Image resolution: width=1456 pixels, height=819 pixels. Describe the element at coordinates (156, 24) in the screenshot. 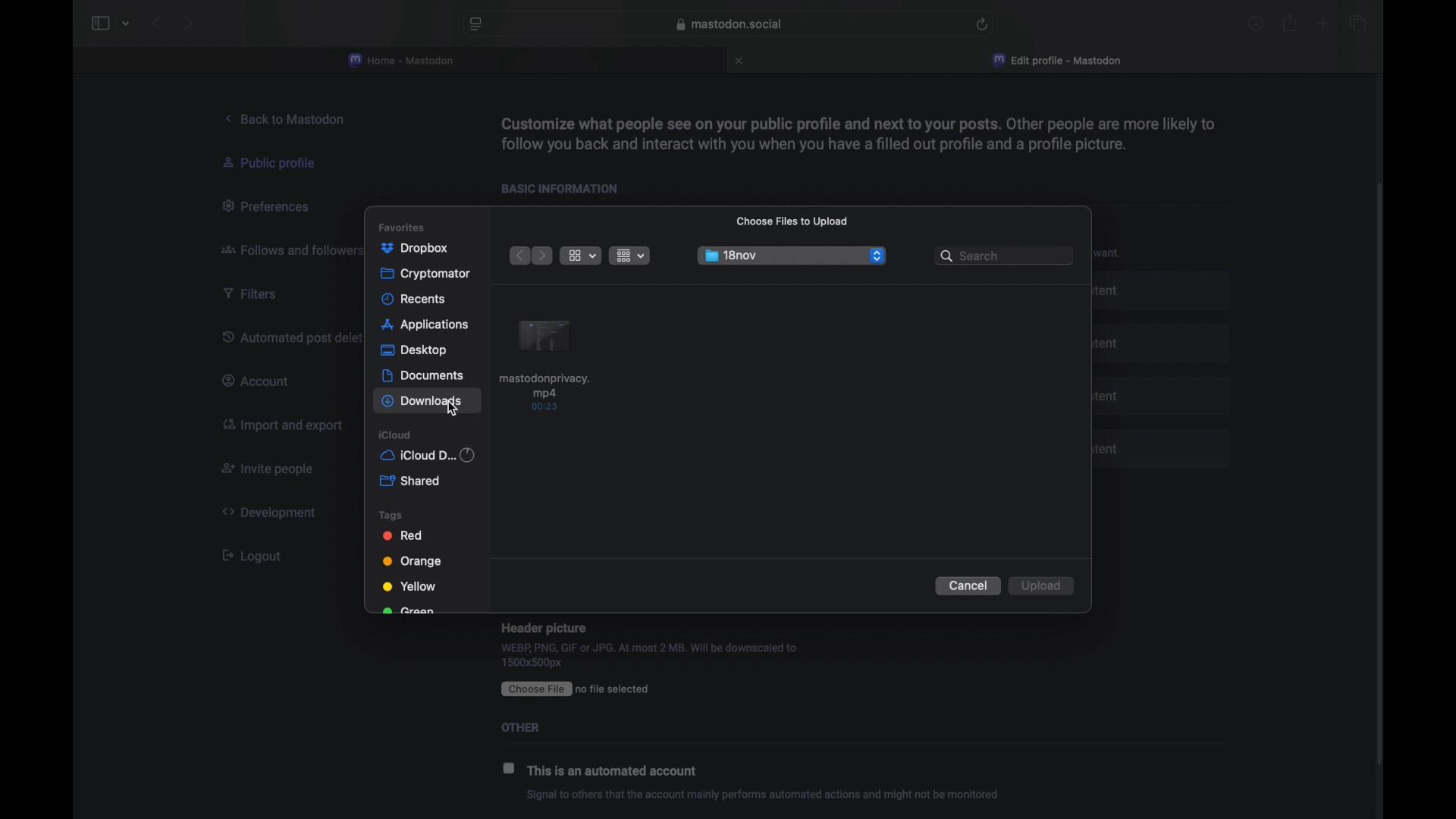

I see `back` at that location.